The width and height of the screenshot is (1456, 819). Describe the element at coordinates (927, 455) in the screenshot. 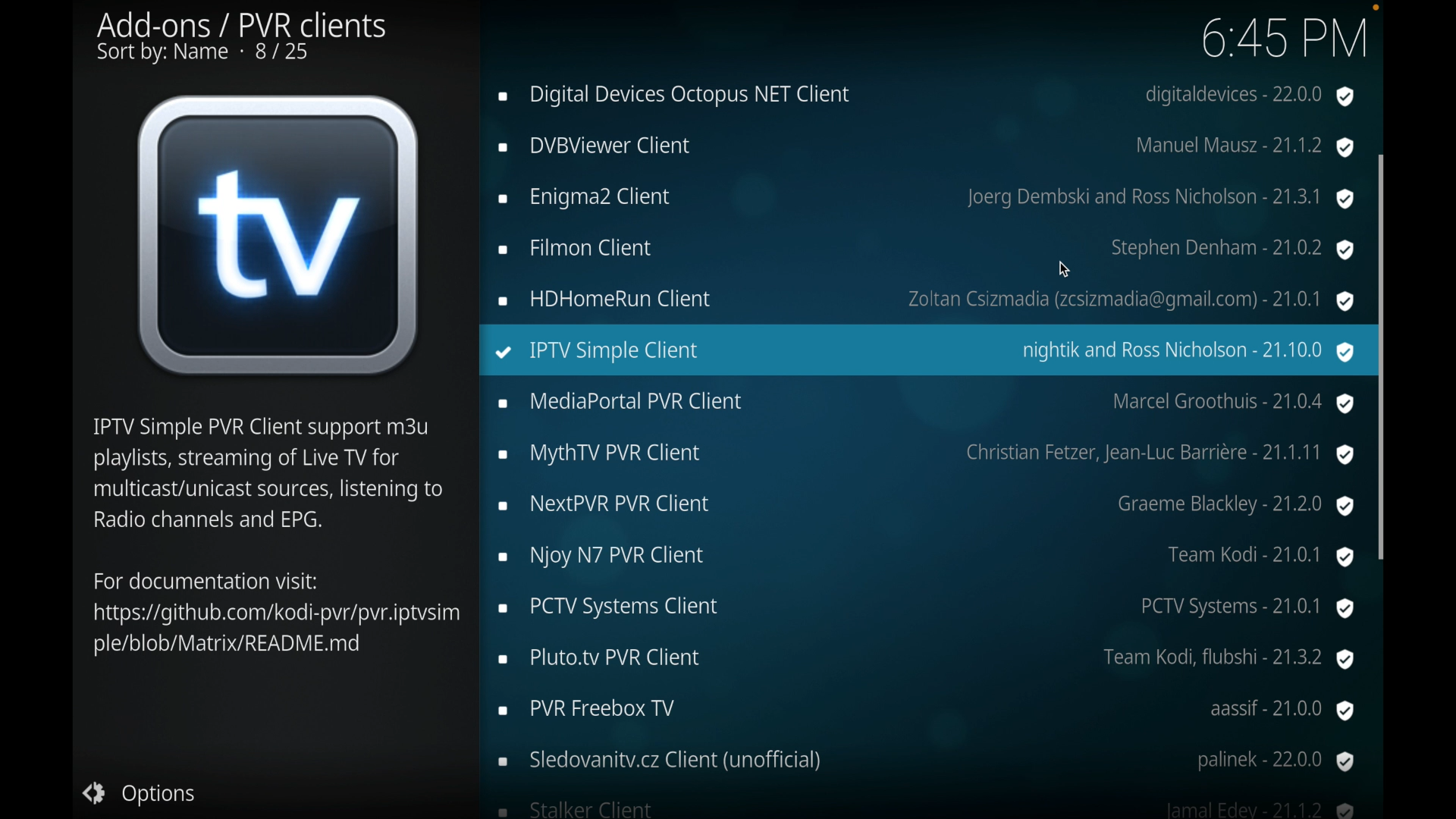

I see `mythtvpremier client` at that location.